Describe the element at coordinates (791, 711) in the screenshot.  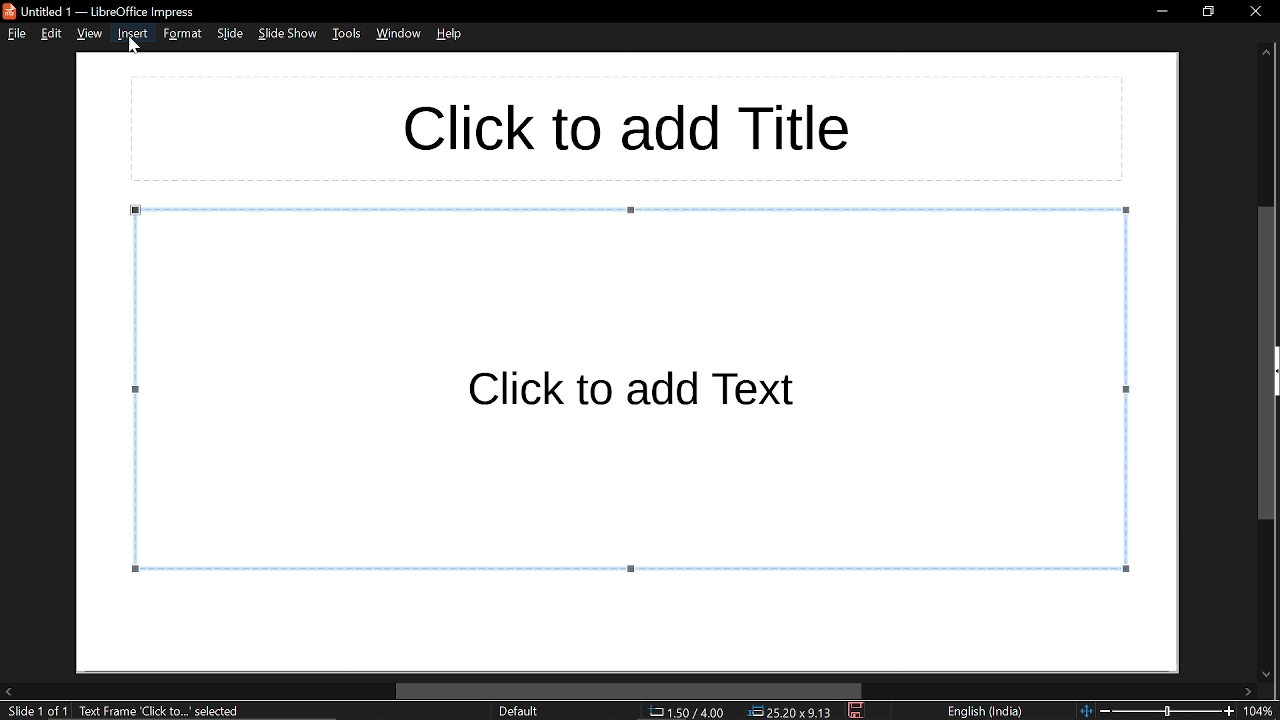
I see `position` at that location.